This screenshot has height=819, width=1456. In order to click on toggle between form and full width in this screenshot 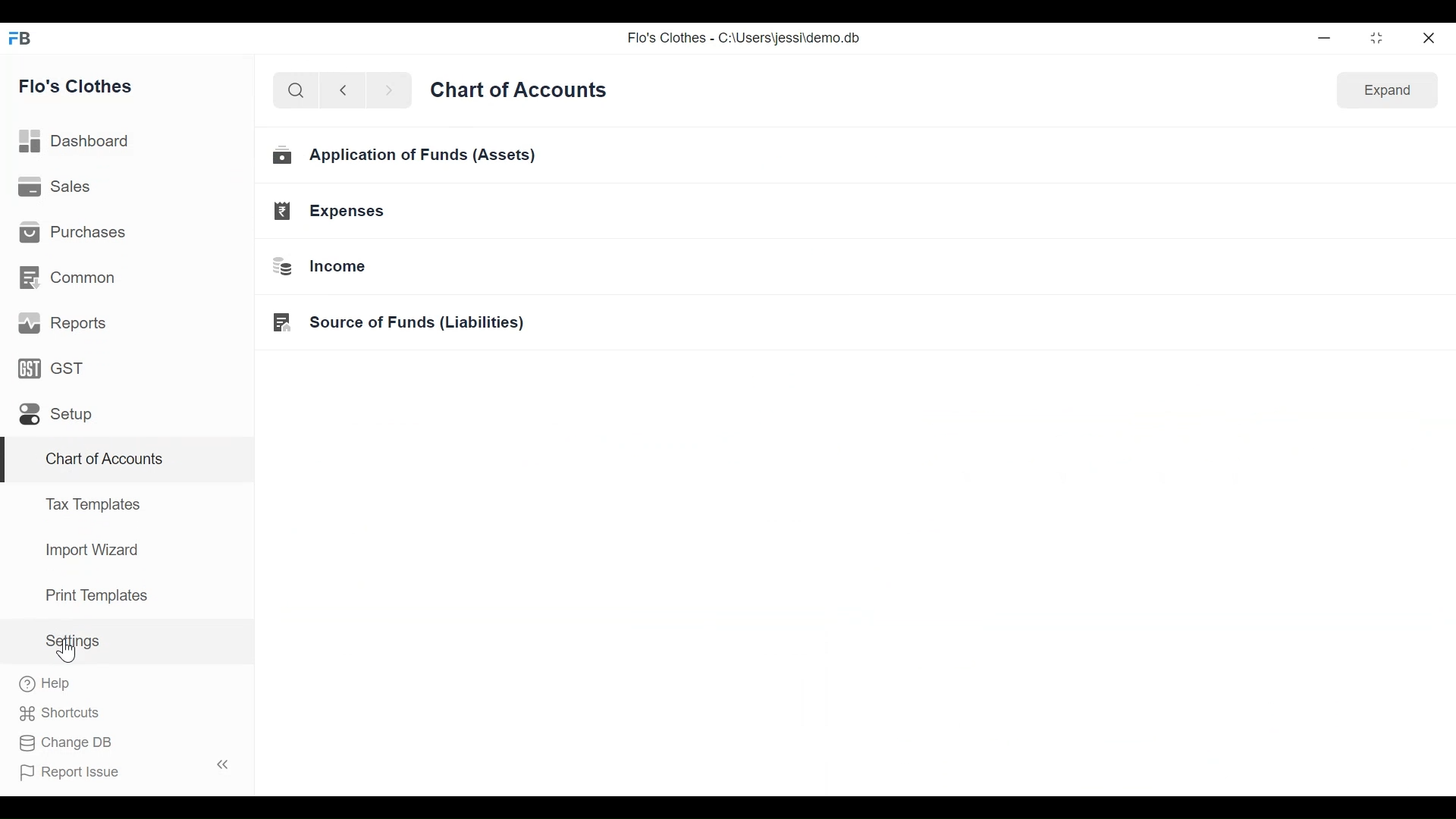, I will do `click(1377, 38)`.